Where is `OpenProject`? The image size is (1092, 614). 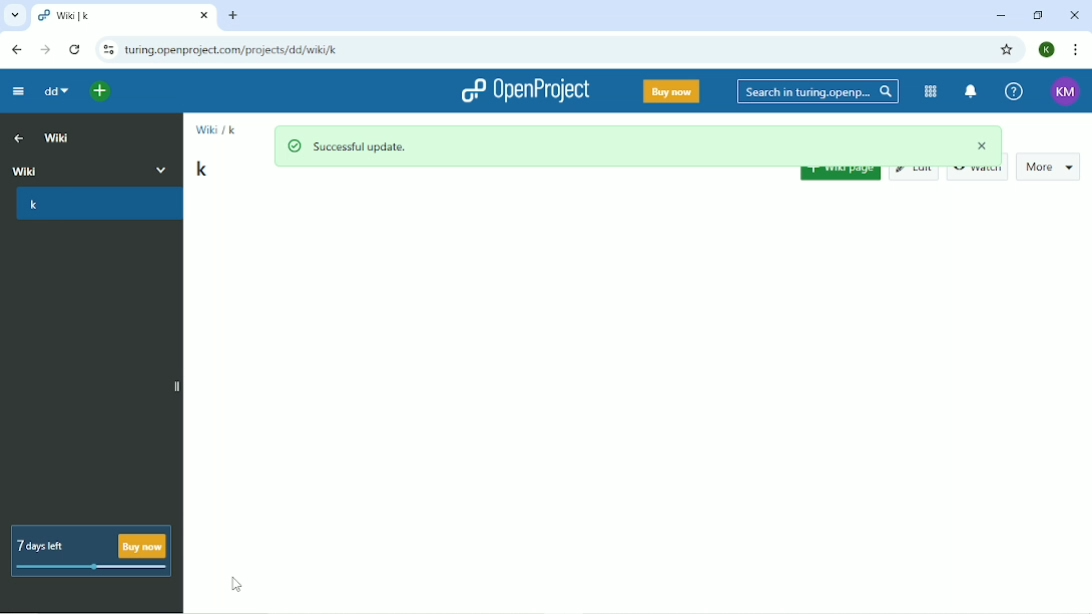
OpenProject is located at coordinates (523, 92).